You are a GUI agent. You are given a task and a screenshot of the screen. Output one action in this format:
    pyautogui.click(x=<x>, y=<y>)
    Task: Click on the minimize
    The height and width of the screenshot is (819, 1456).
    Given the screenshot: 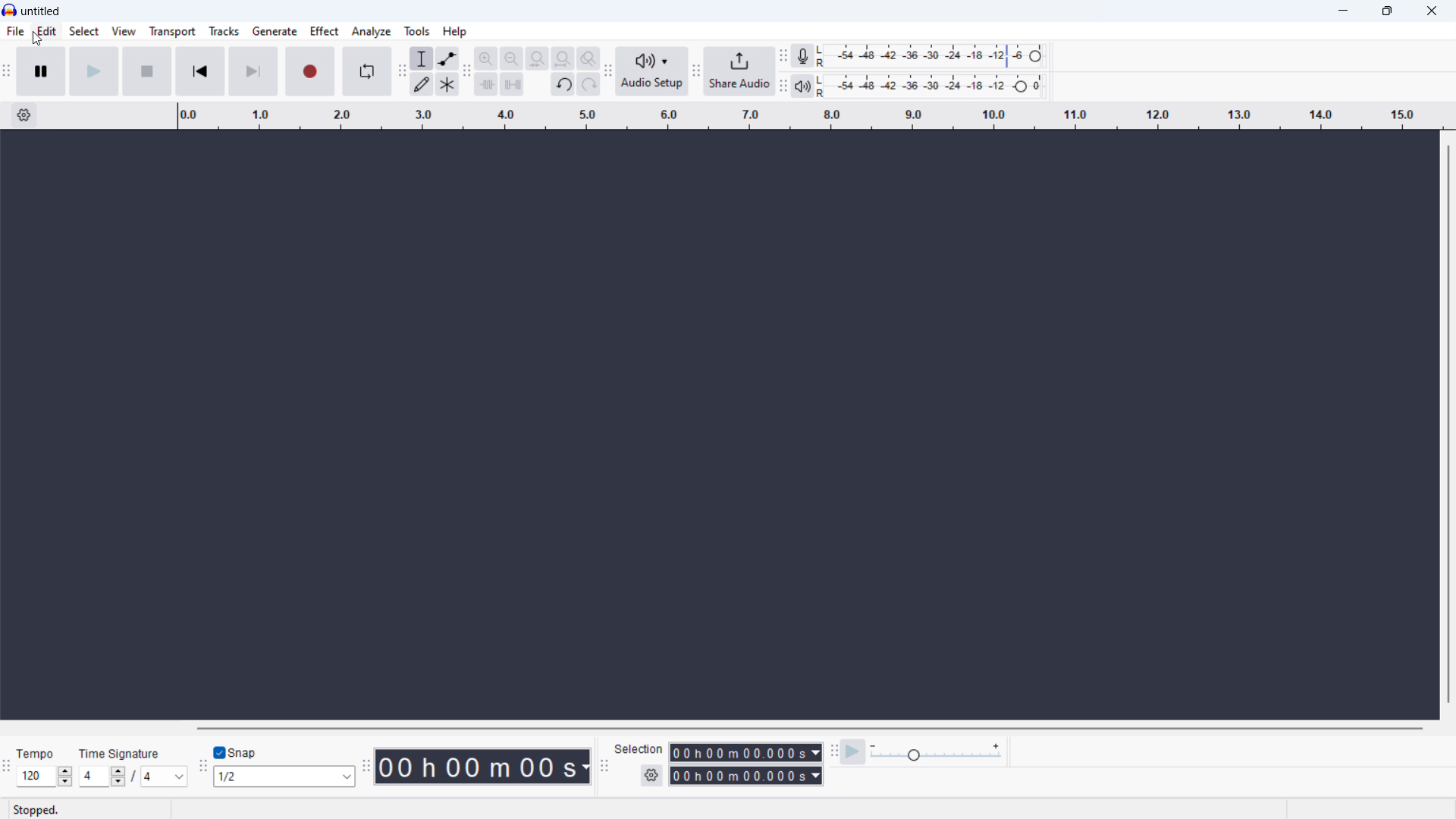 What is the action you would take?
    pyautogui.click(x=1344, y=11)
    